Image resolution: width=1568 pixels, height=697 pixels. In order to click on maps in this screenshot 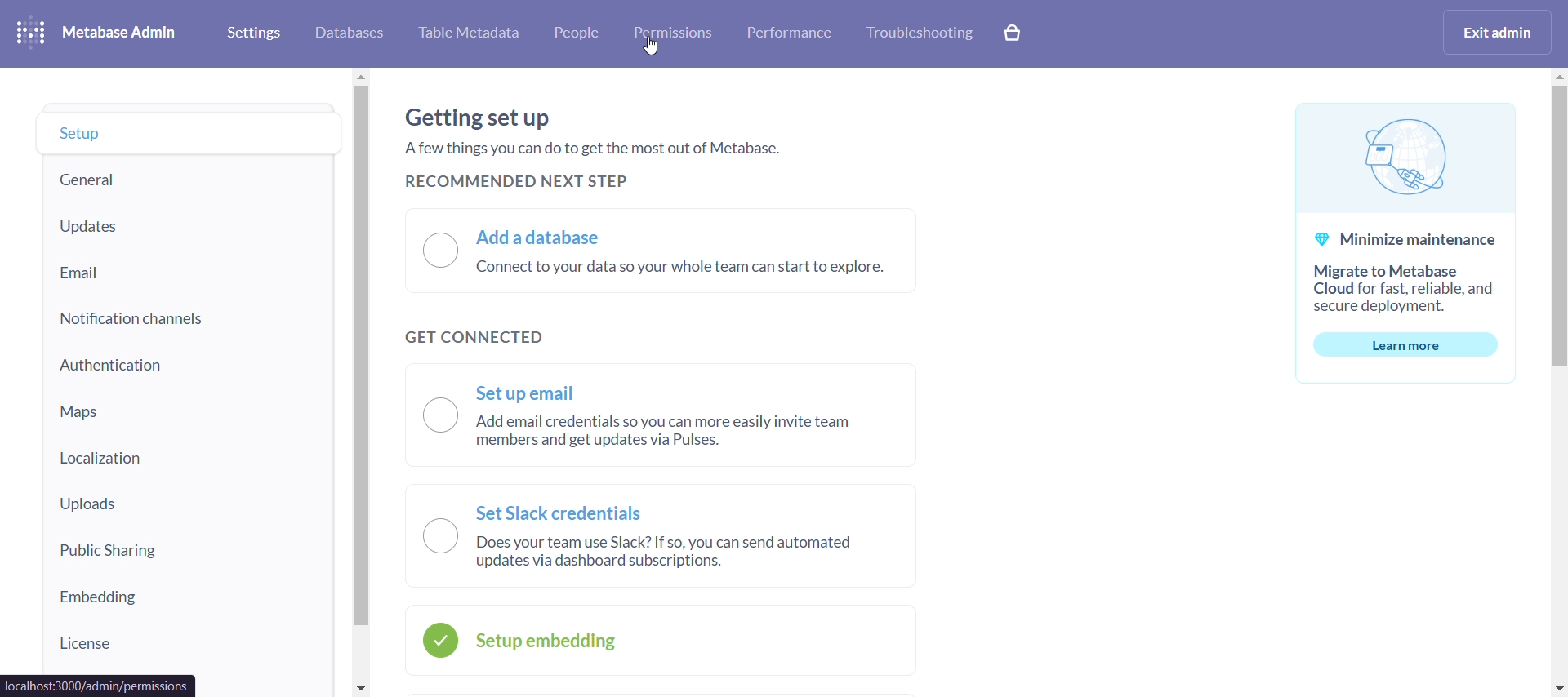, I will do `click(188, 406)`.